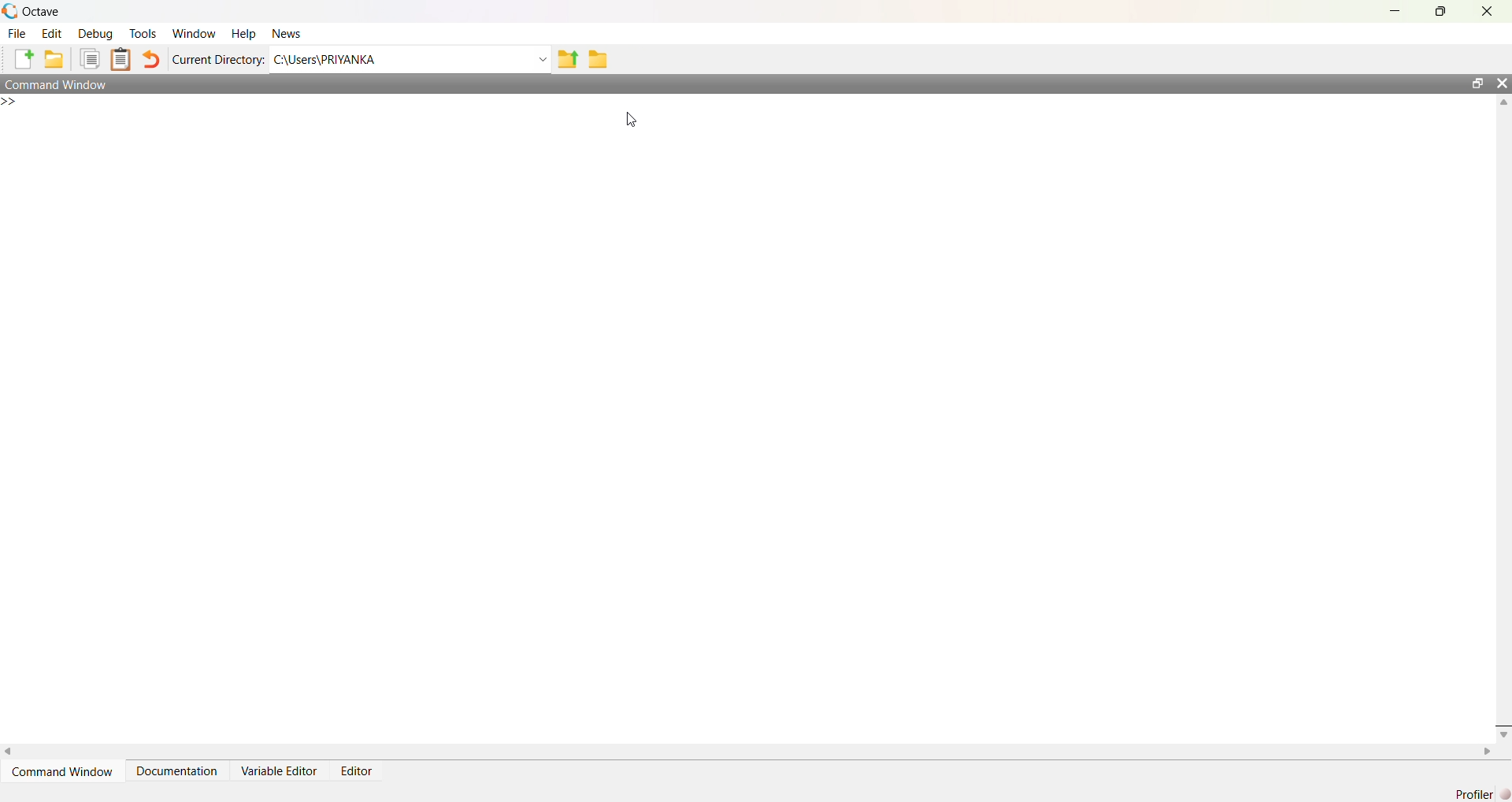 This screenshot has height=802, width=1512. What do you see at coordinates (176, 771) in the screenshot?
I see `Documentation` at bounding box center [176, 771].